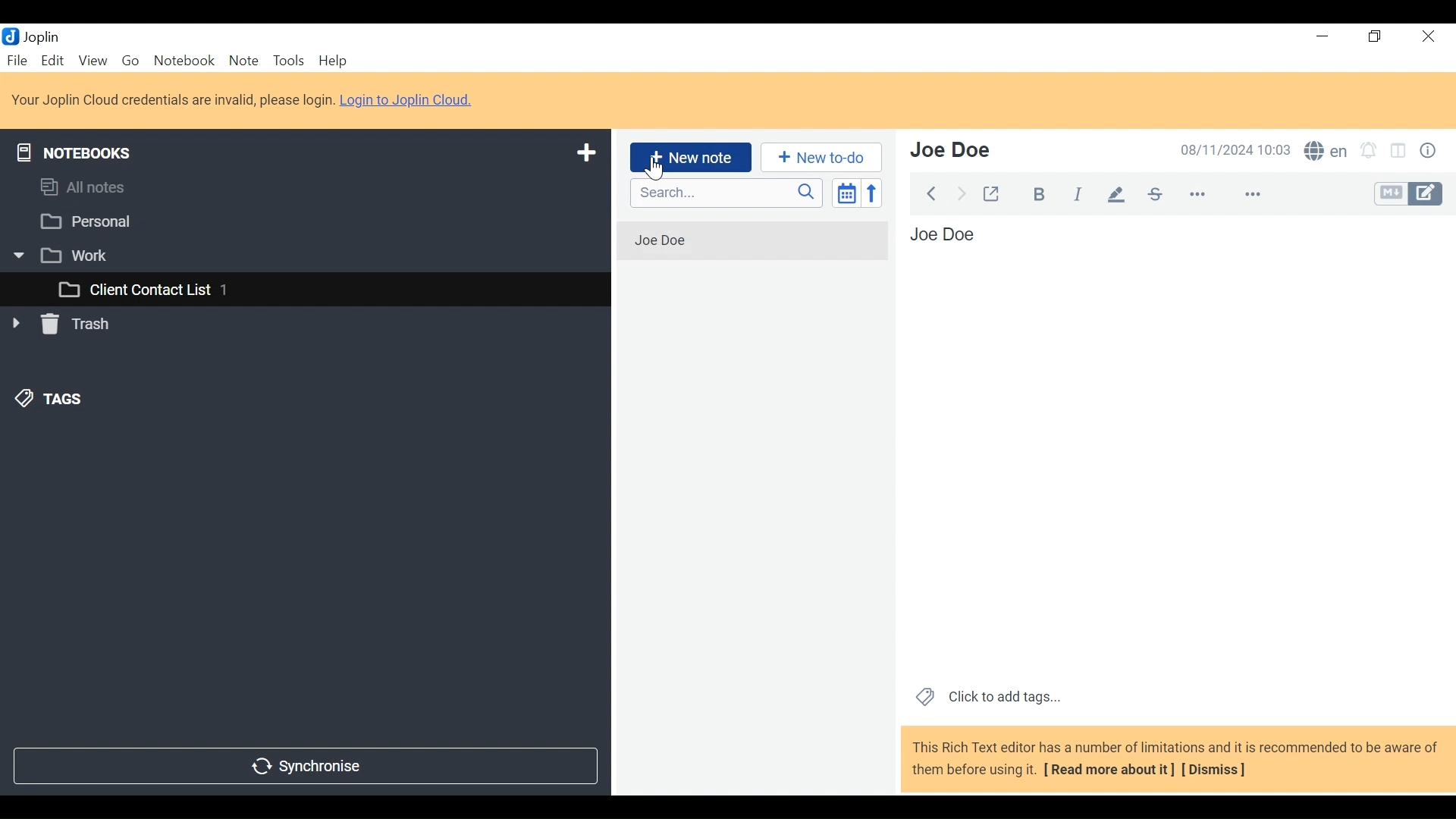 The image size is (1456, 819). I want to click on Work, so click(296, 255).